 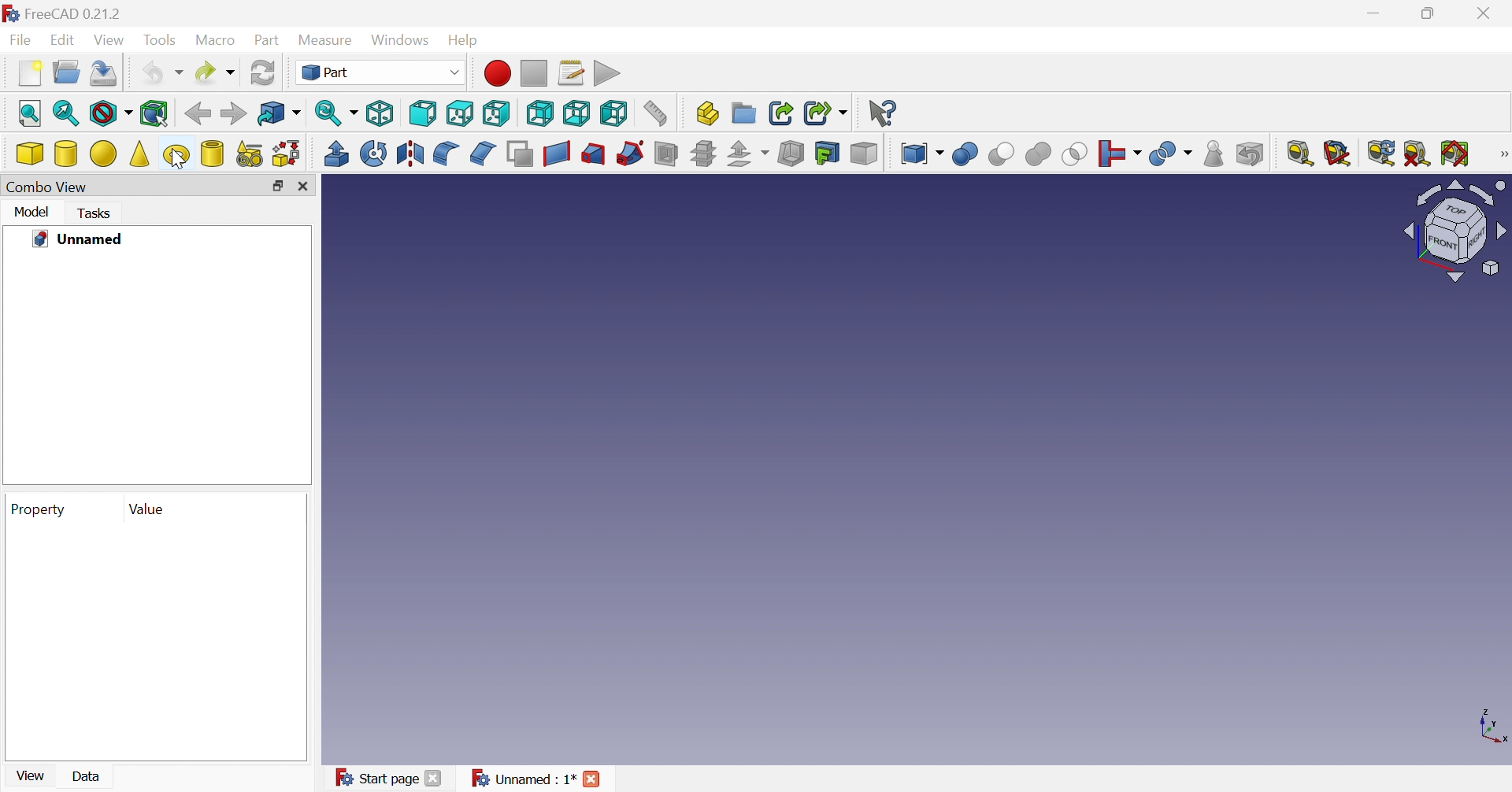 I want to click on Macro, so click(x=213, y=39).